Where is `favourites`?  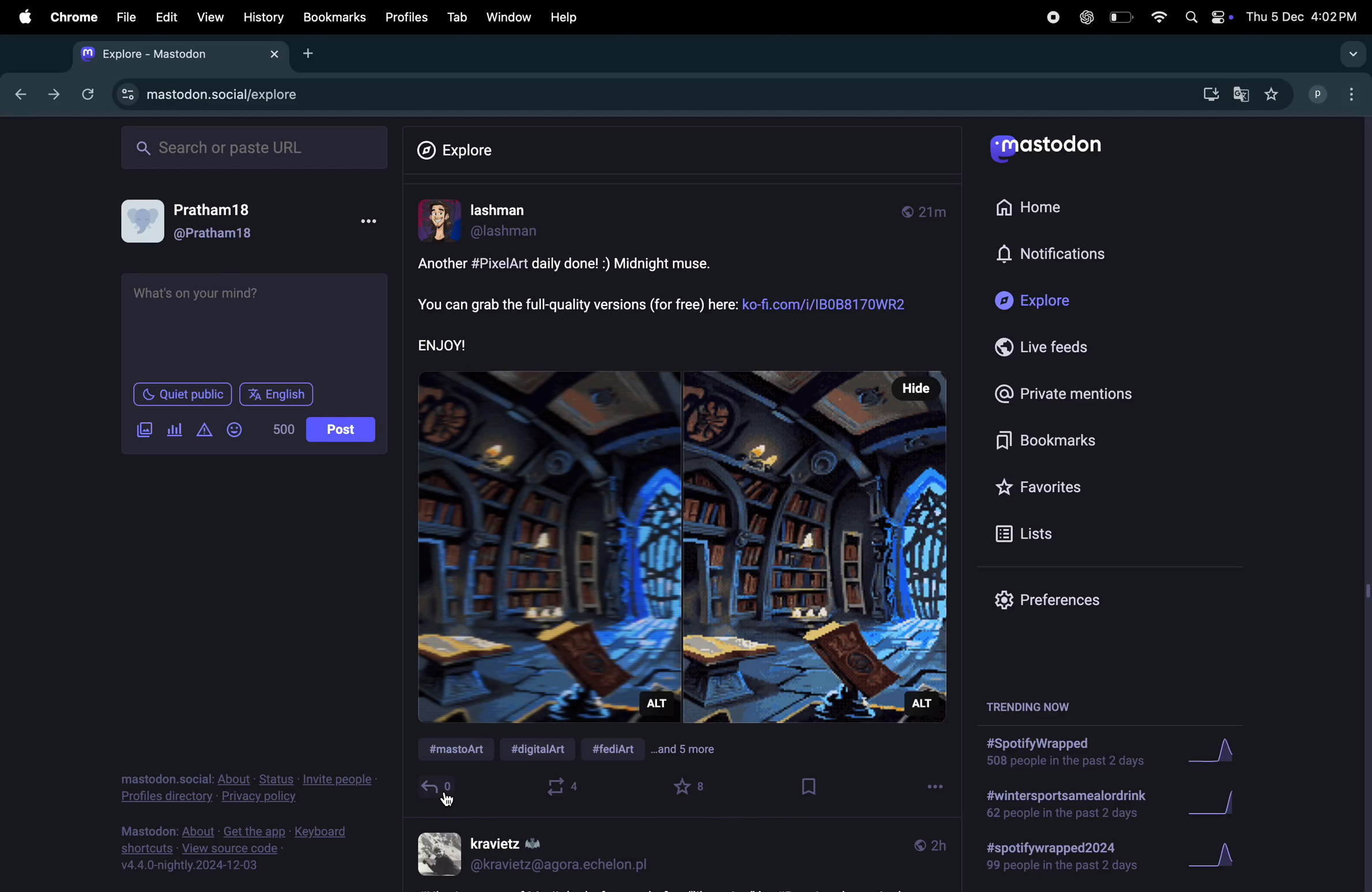 favourites is located at coordinates (692, 788).